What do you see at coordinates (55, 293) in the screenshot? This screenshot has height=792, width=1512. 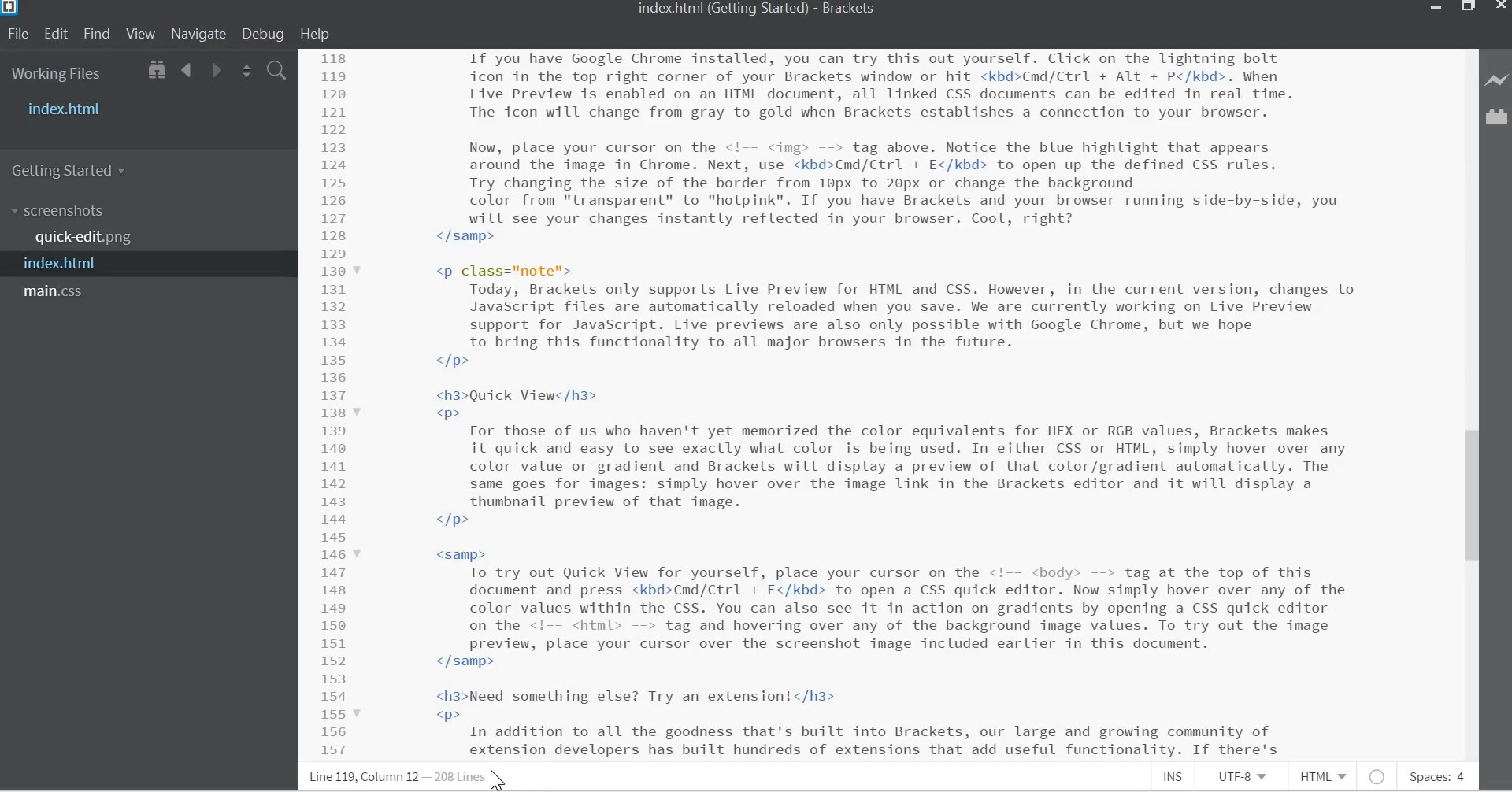 I see `main.css` at bounding box center [55, 293].